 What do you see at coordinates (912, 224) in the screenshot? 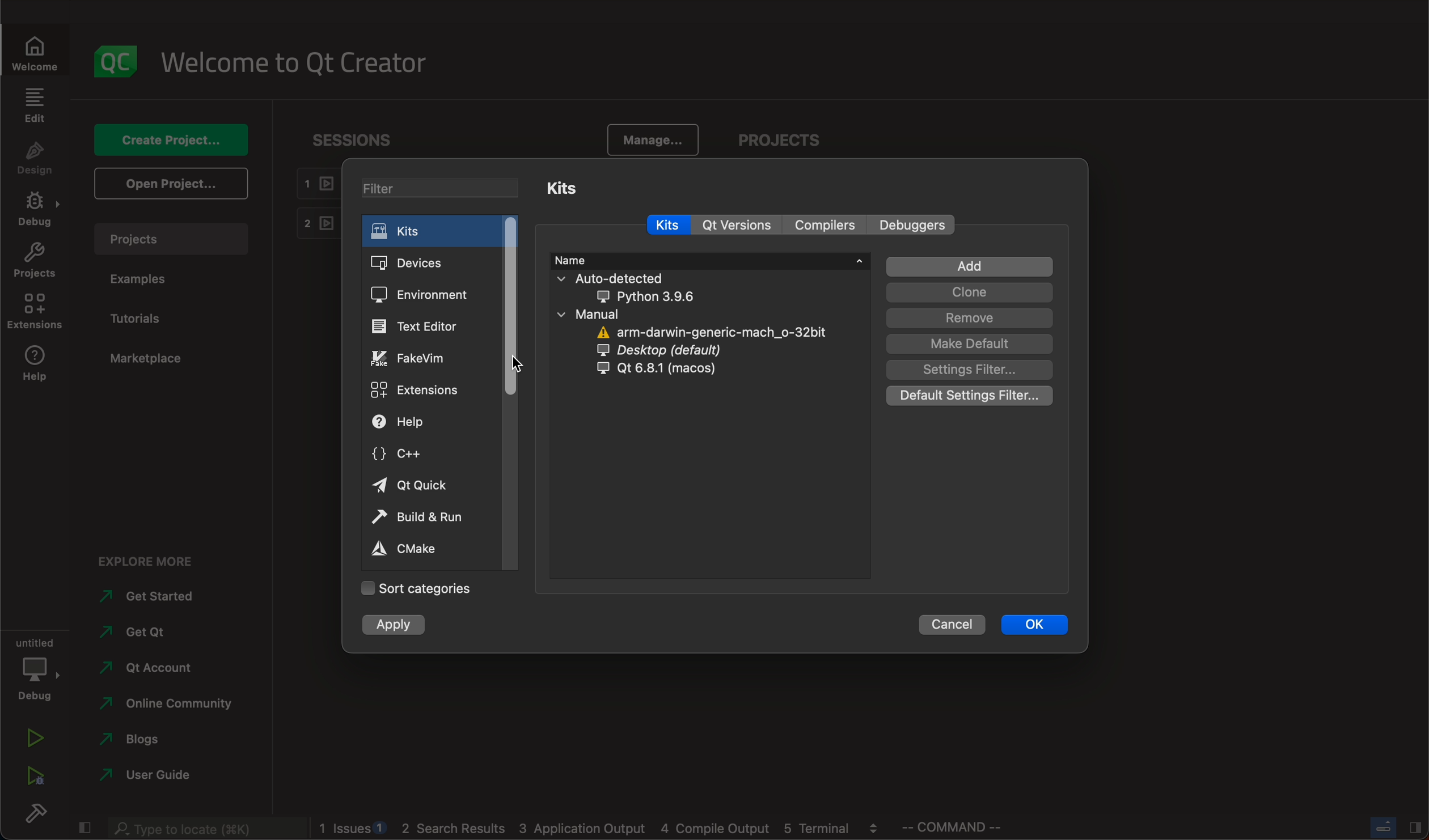
I see `` at bounding box center [912, 224].